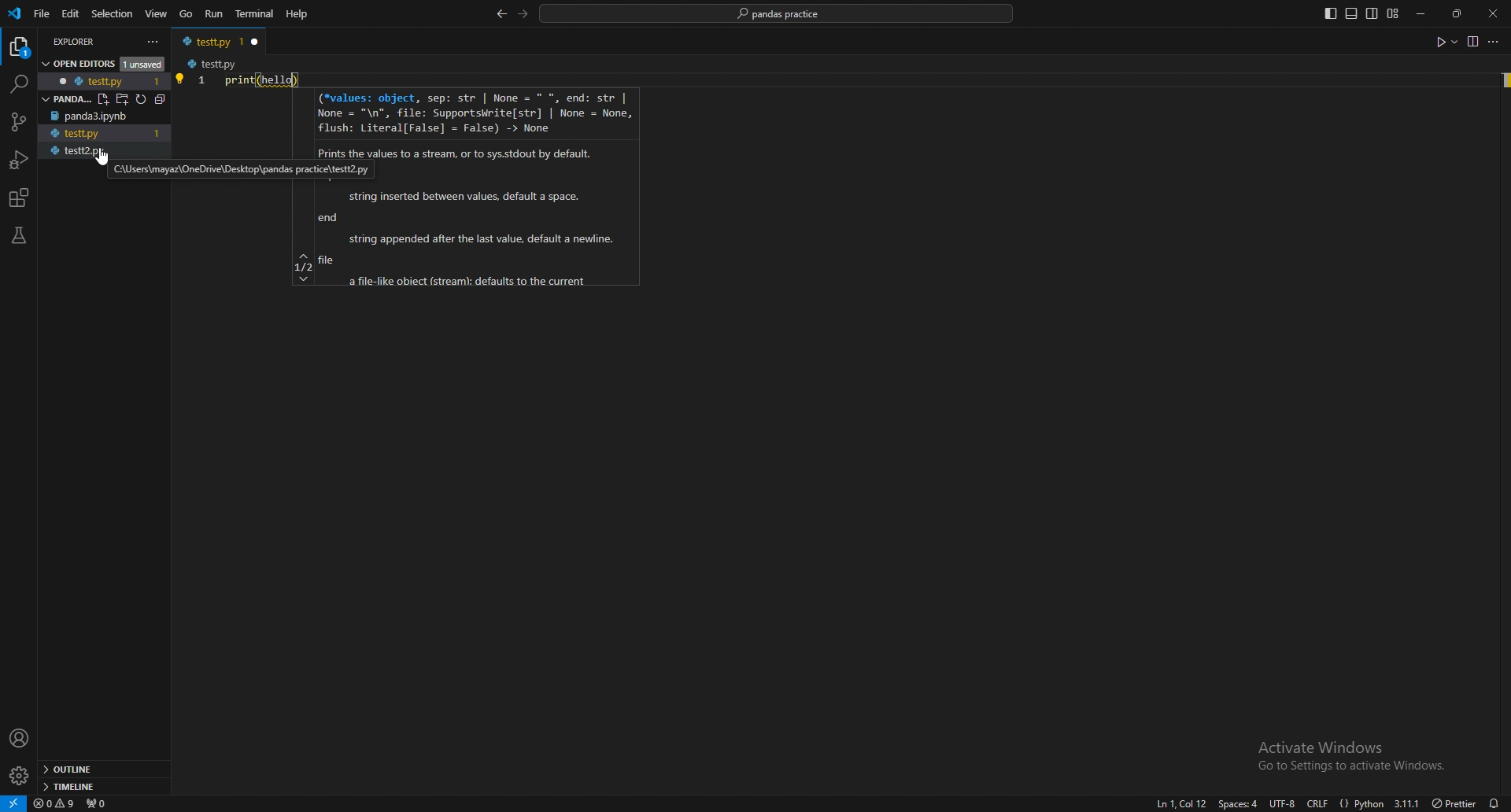 The image size is (1511, 812). I want to click on cursor, so click(95, 155).